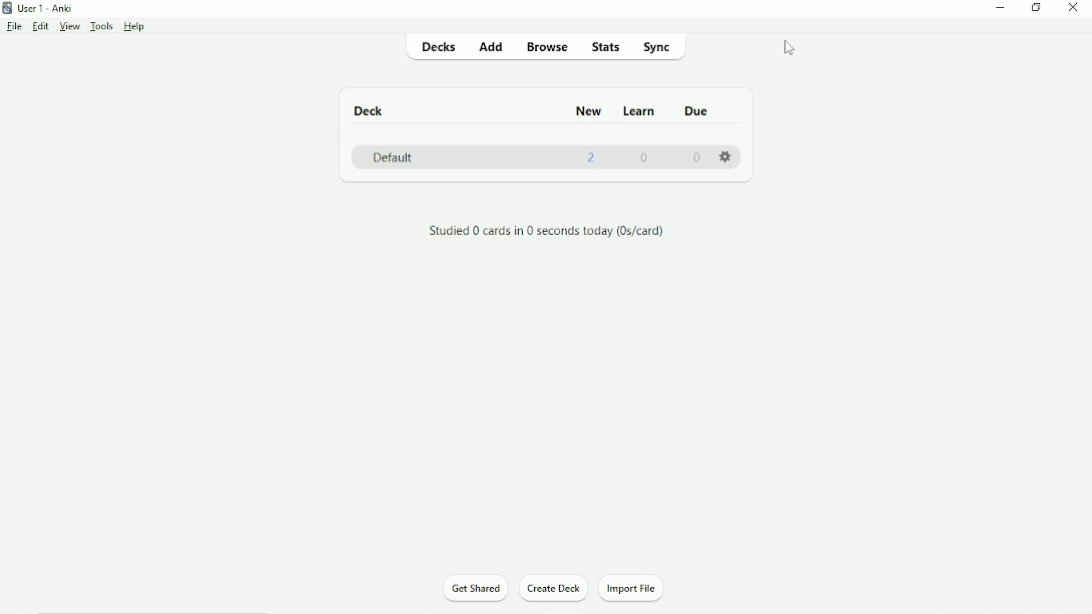 The image size is (1092, 614). I want to click on Decks, so click(437, 49).